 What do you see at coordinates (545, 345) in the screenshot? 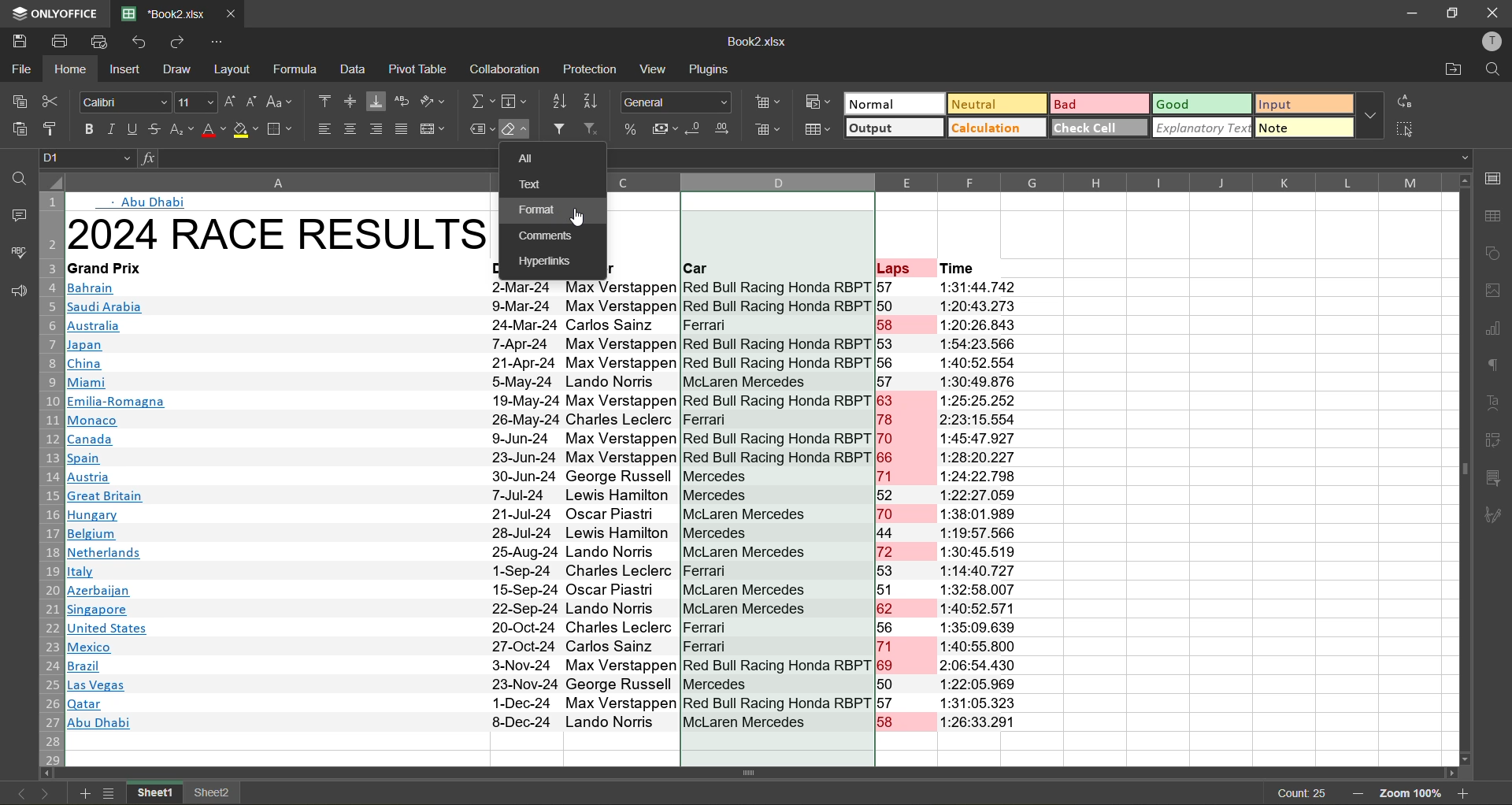
I see `Japan 7-Apr-24 Max Verstappen Red Bull Racing Honda RBPT 53 1:54:23.566` at bounding box center [545, 345].